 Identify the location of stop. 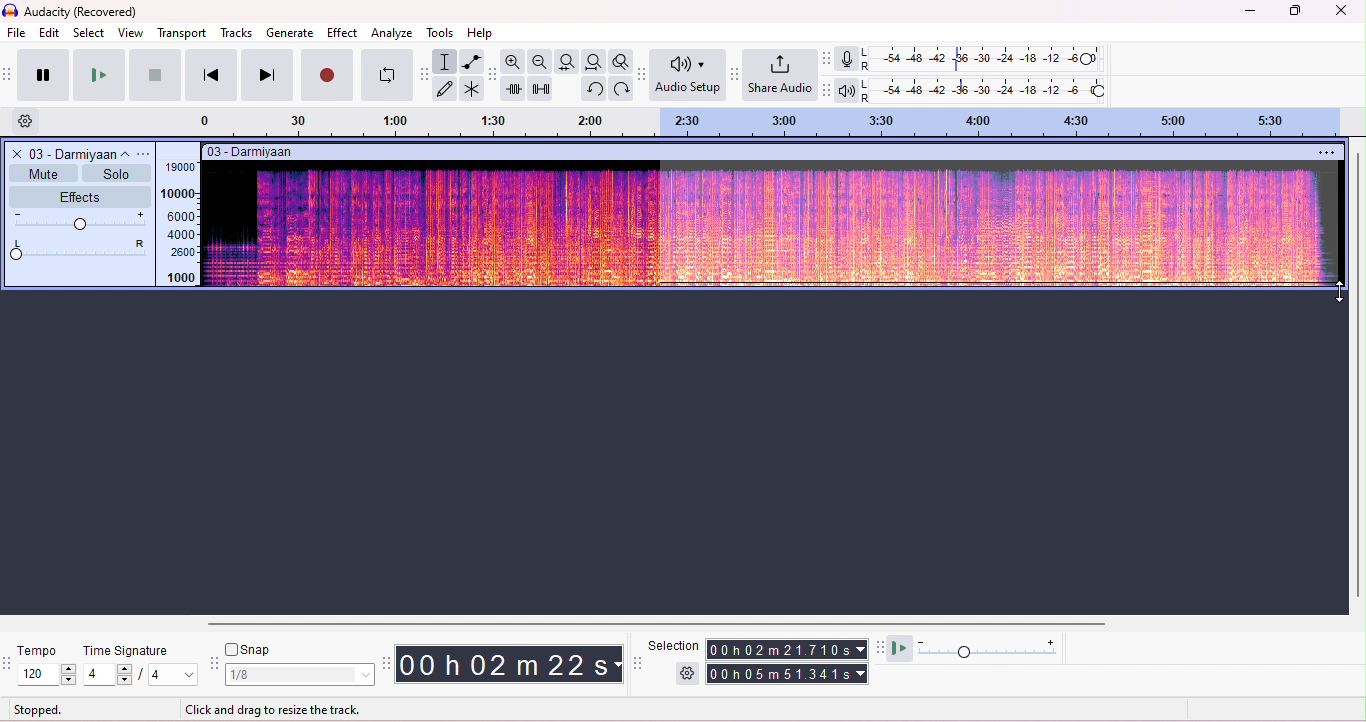
(155, 74).